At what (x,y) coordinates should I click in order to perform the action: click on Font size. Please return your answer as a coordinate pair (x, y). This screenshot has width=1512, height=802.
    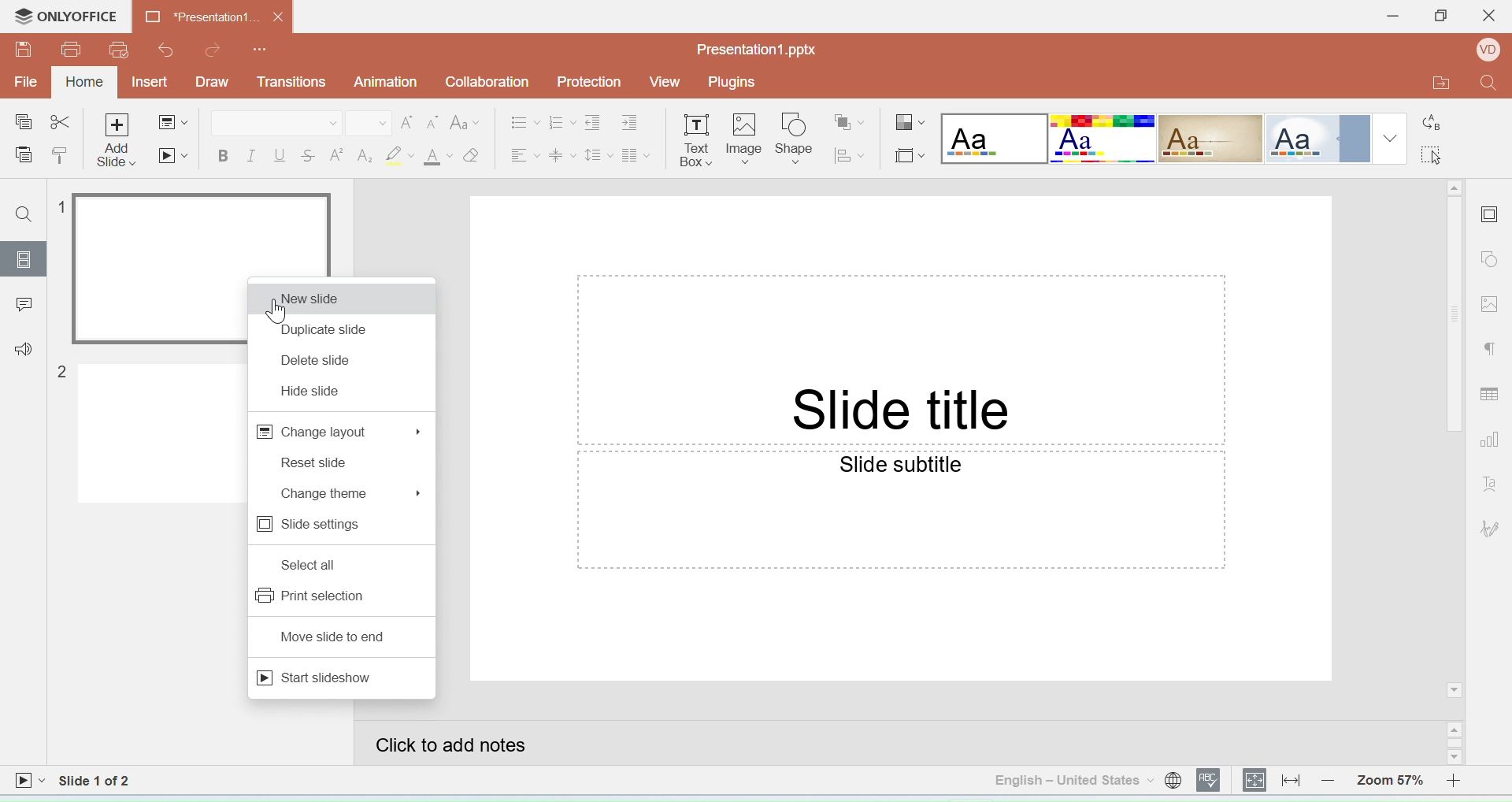
    Looking at the image, I should click on (369, 124).